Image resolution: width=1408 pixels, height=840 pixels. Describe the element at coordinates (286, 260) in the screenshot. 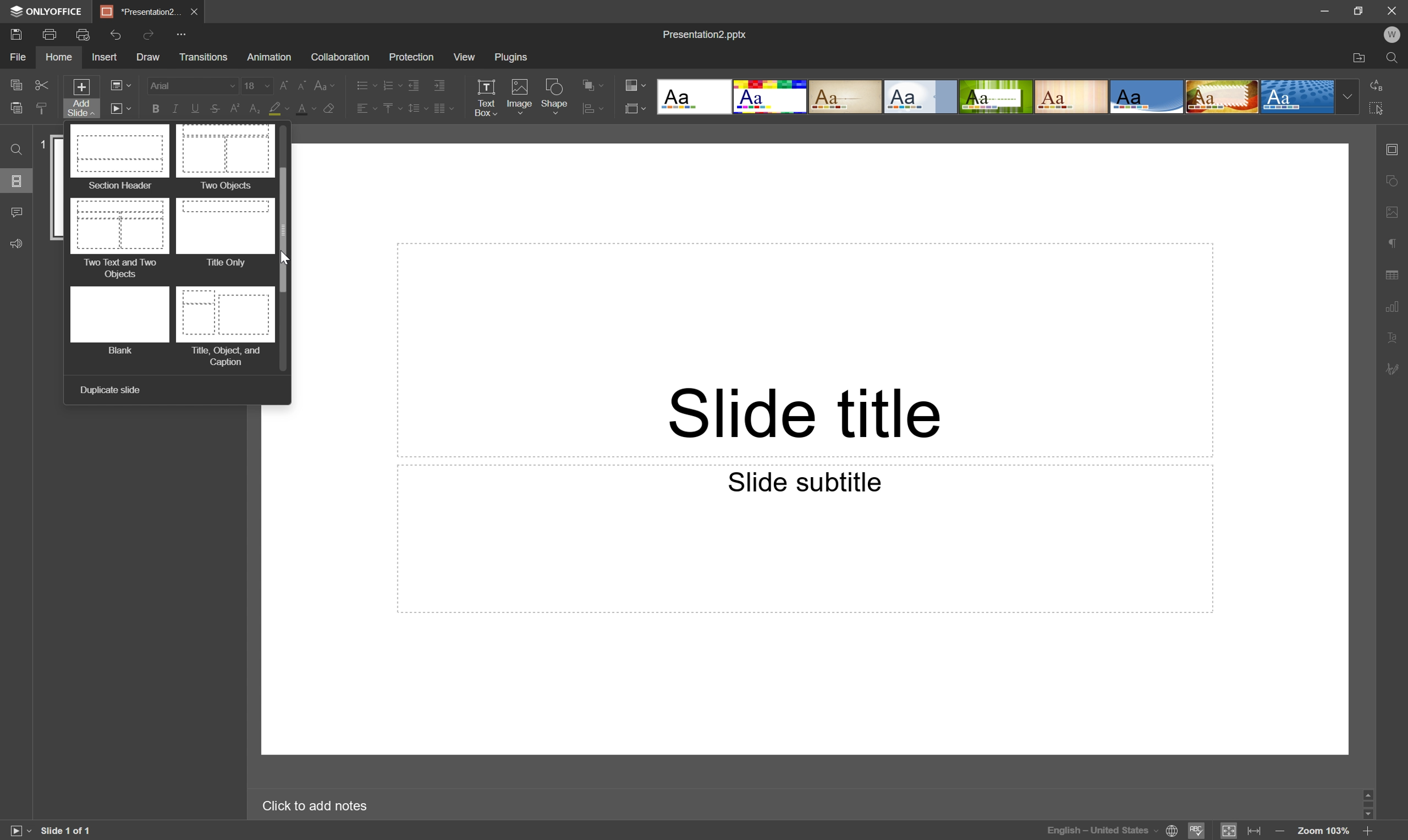

I see `Cursor` at that location.